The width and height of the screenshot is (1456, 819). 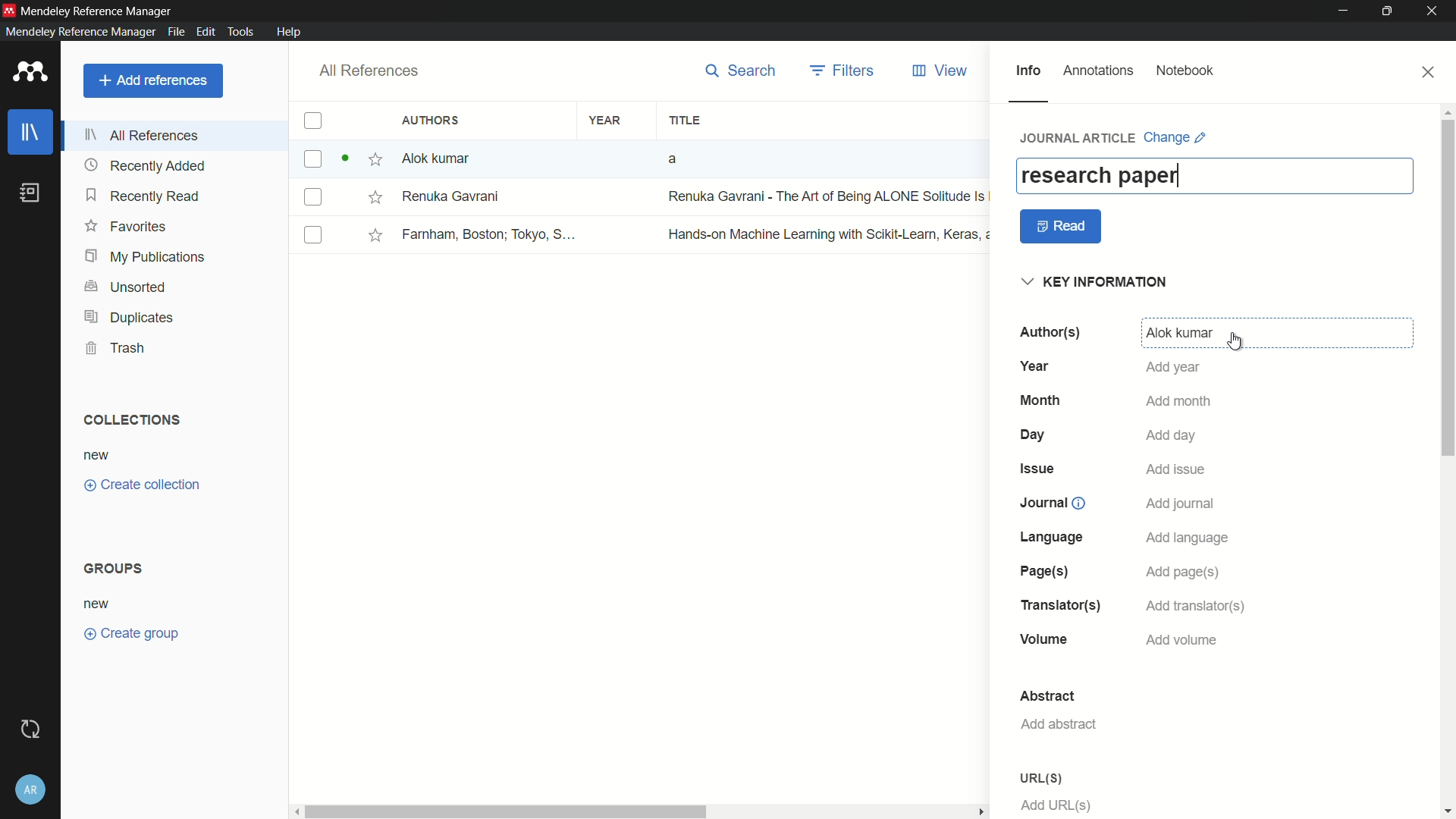 What do you see at coordinates (145, 166) in the screenshot?
I see `recently added` at bounding box center [145, 166].